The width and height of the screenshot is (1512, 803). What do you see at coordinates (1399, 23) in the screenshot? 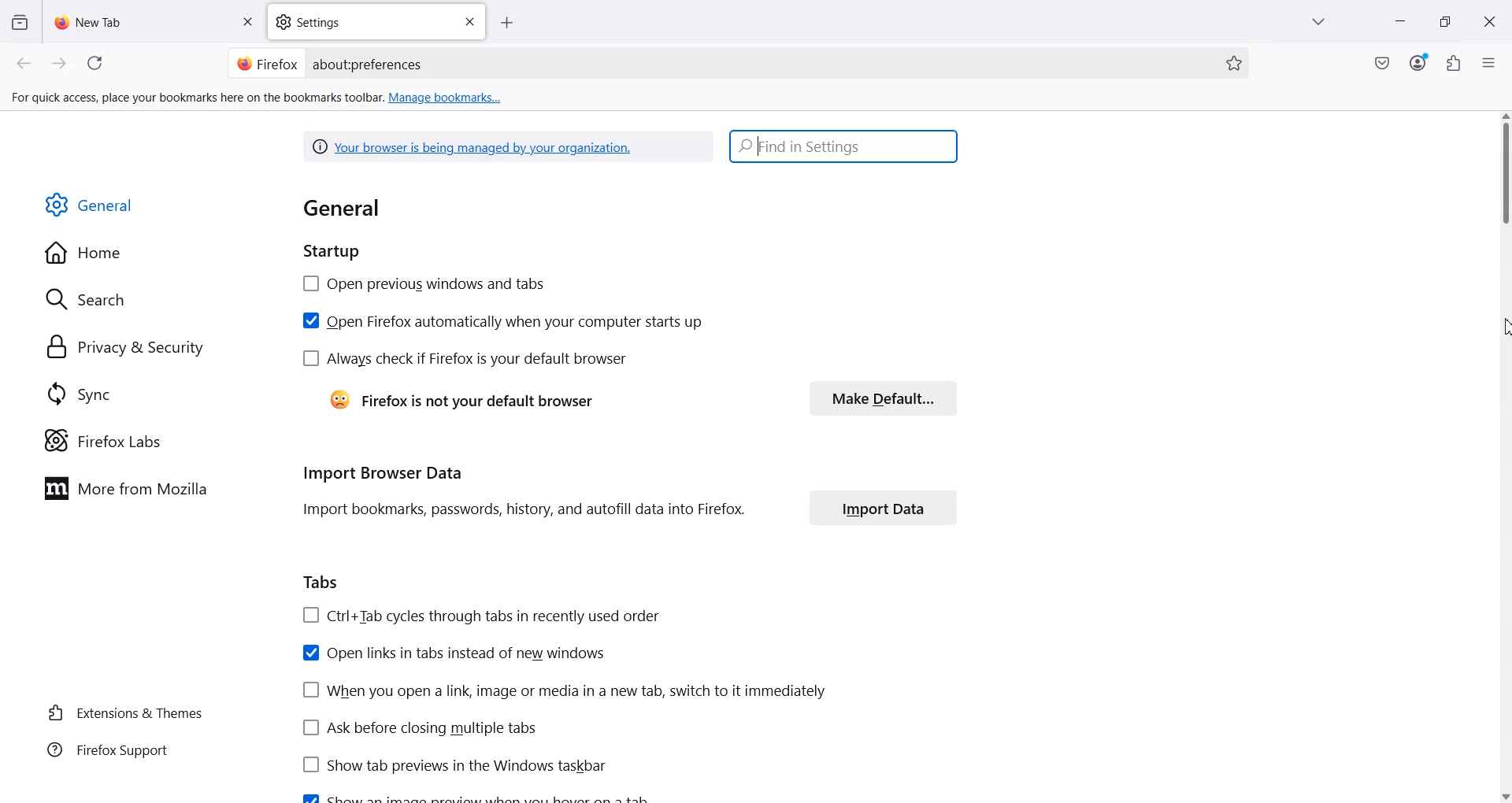
I see `Minimize` at bounding box center [1399, 23].